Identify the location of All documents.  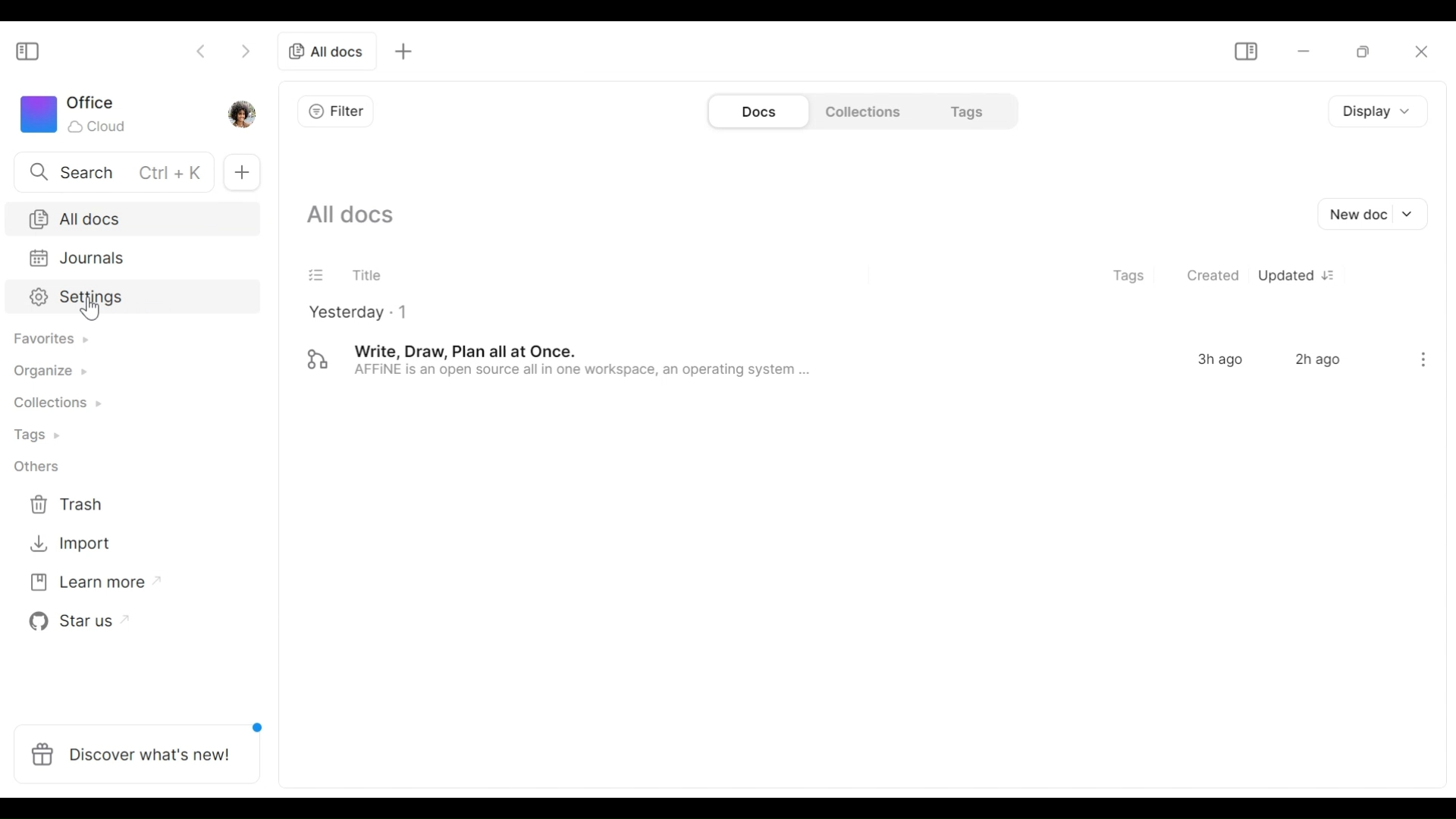
(321, 50).